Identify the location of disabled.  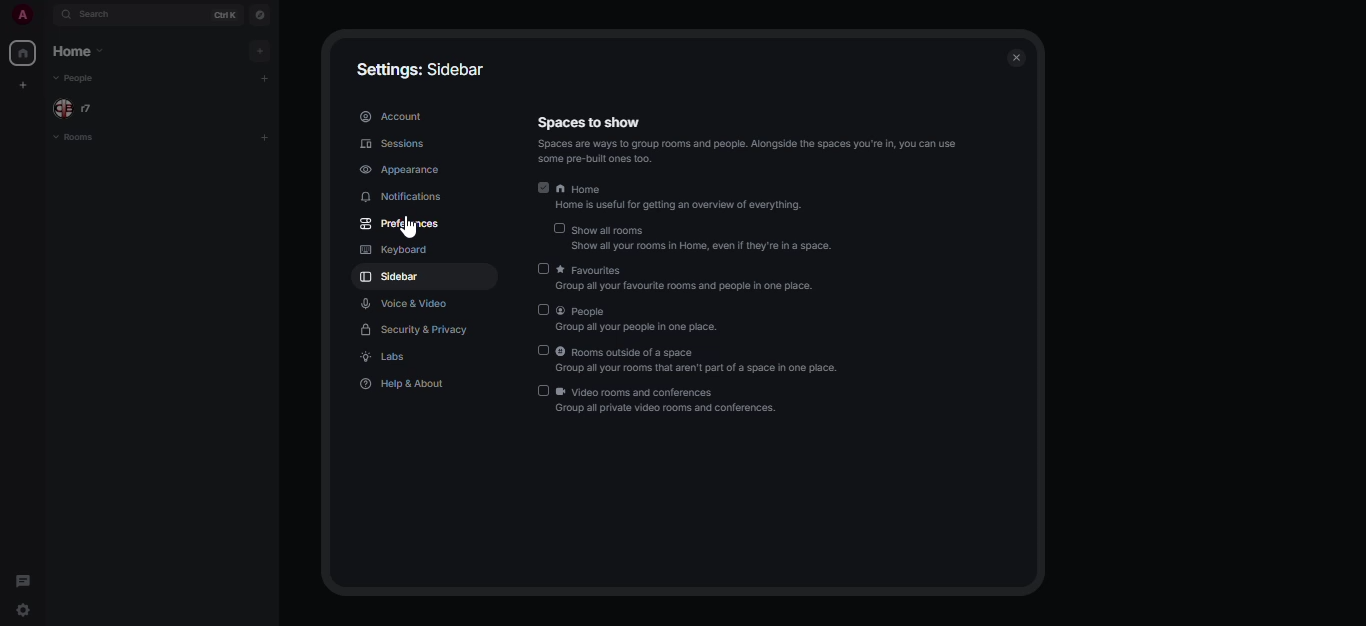
(543, 390).